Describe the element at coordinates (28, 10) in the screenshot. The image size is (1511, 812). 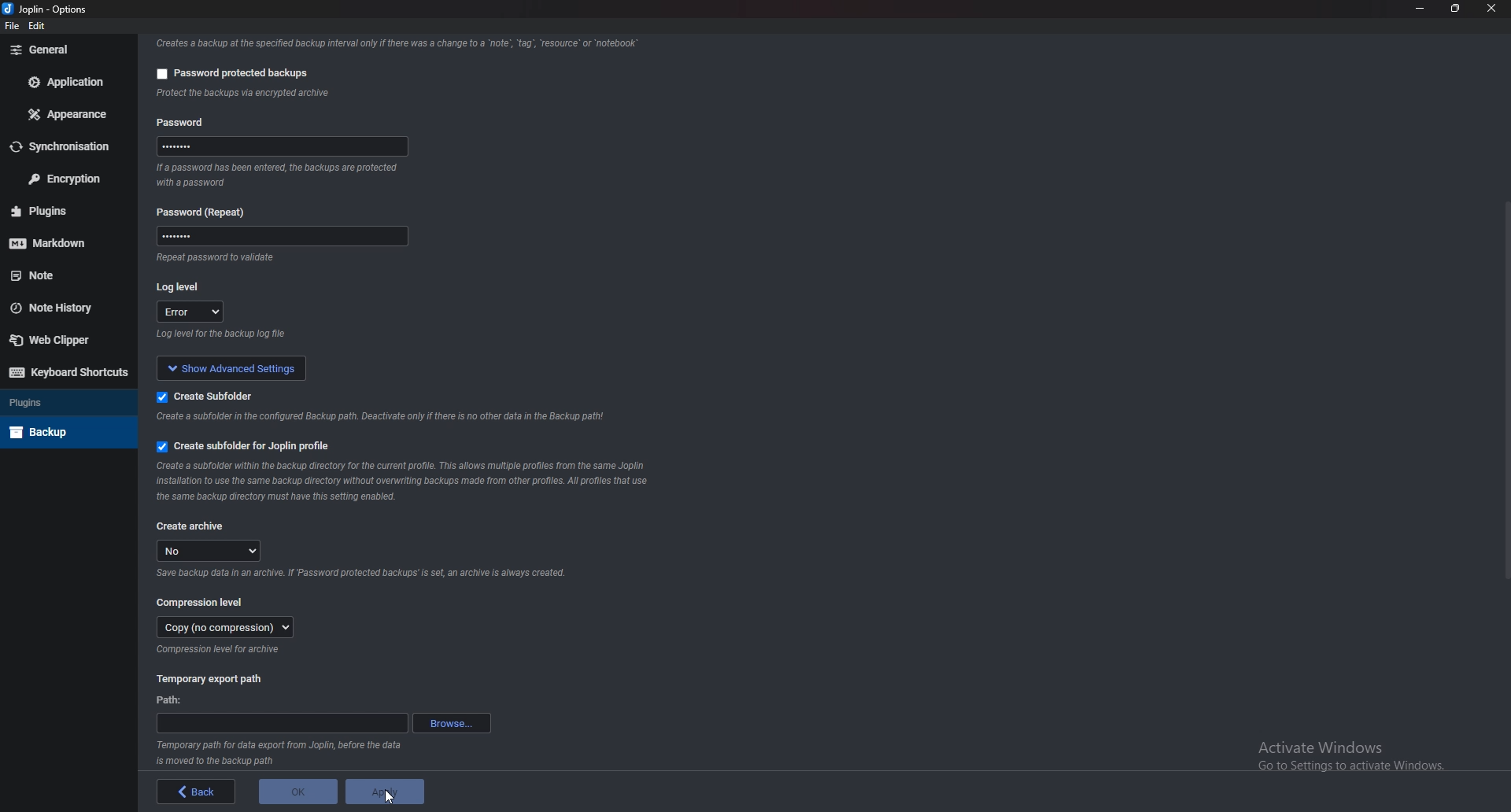
I see `joplin` at that location.